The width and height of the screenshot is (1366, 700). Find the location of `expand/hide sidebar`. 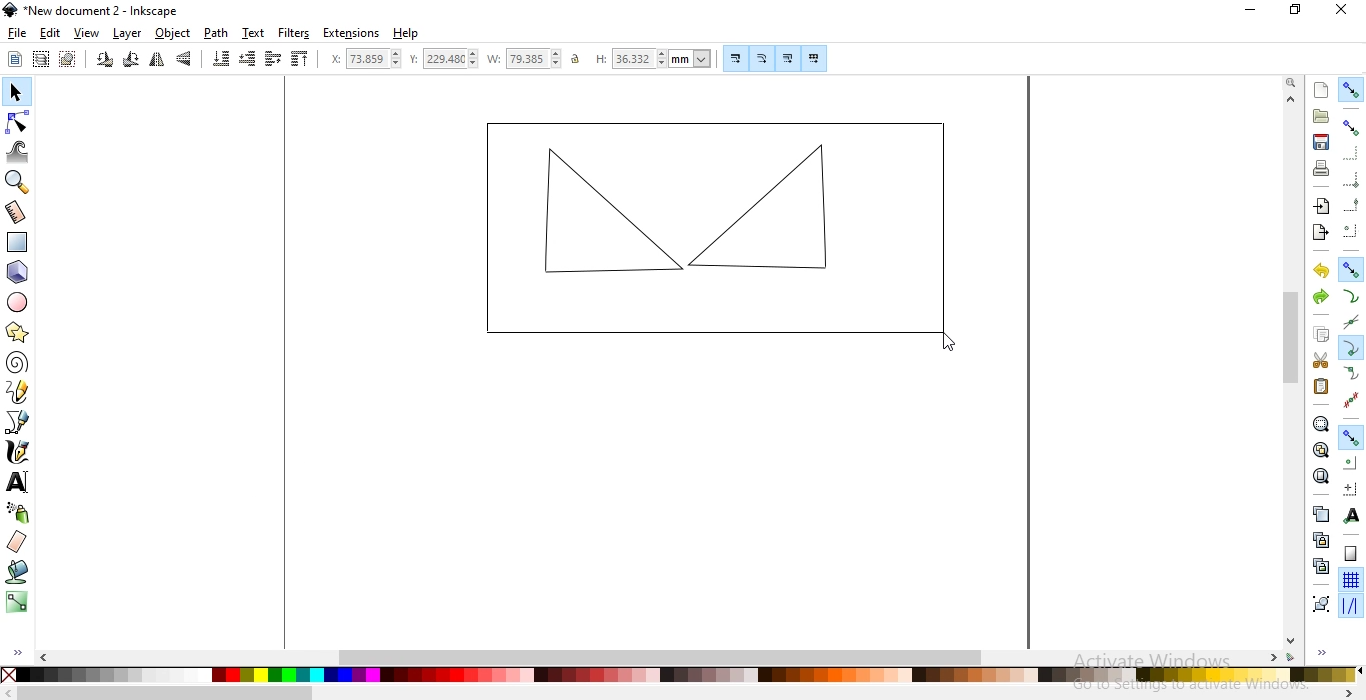

expand/hide sidebar is located at coordinates (20, 653).